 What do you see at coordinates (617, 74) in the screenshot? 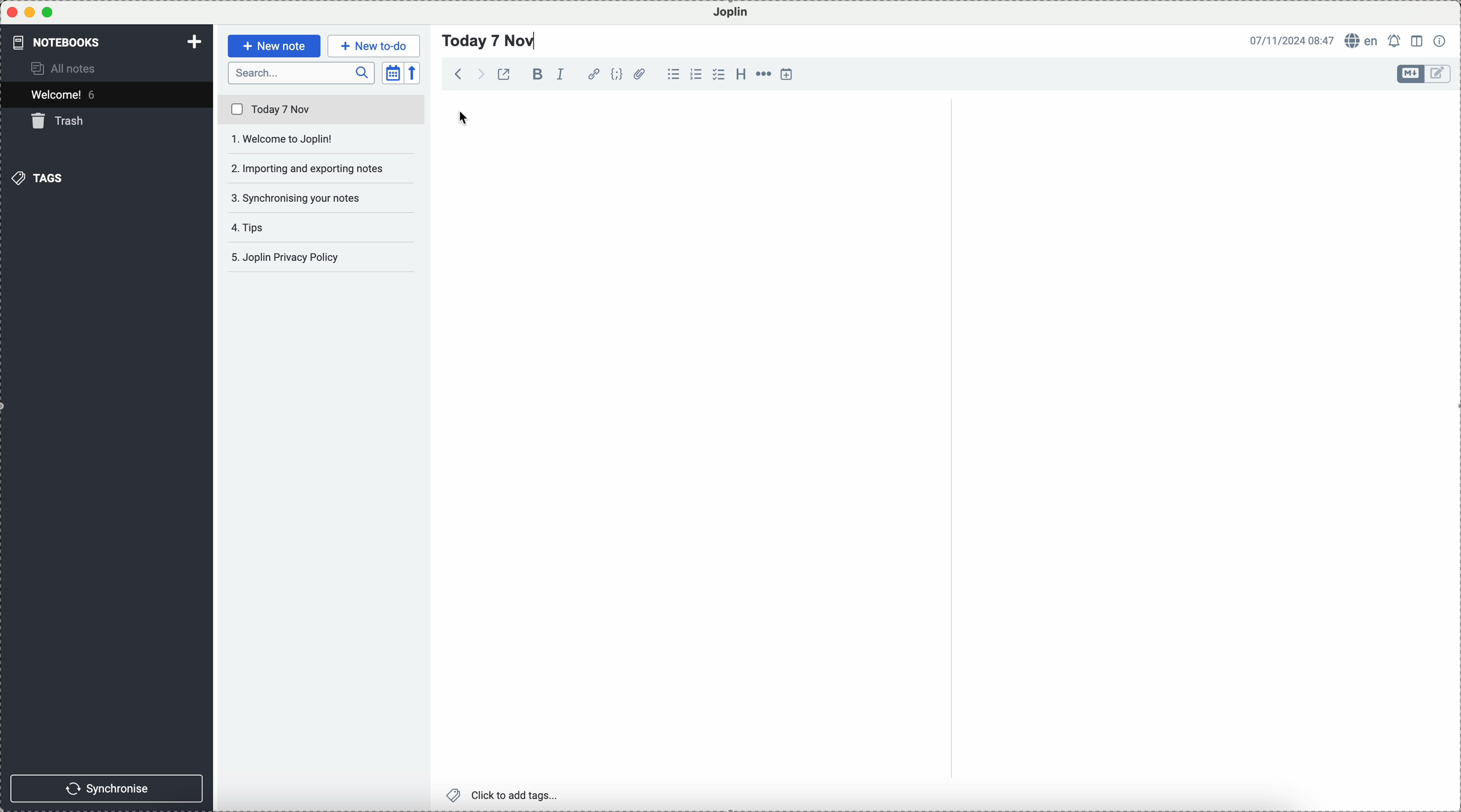
I see `code` at bounding box center [617, 74].